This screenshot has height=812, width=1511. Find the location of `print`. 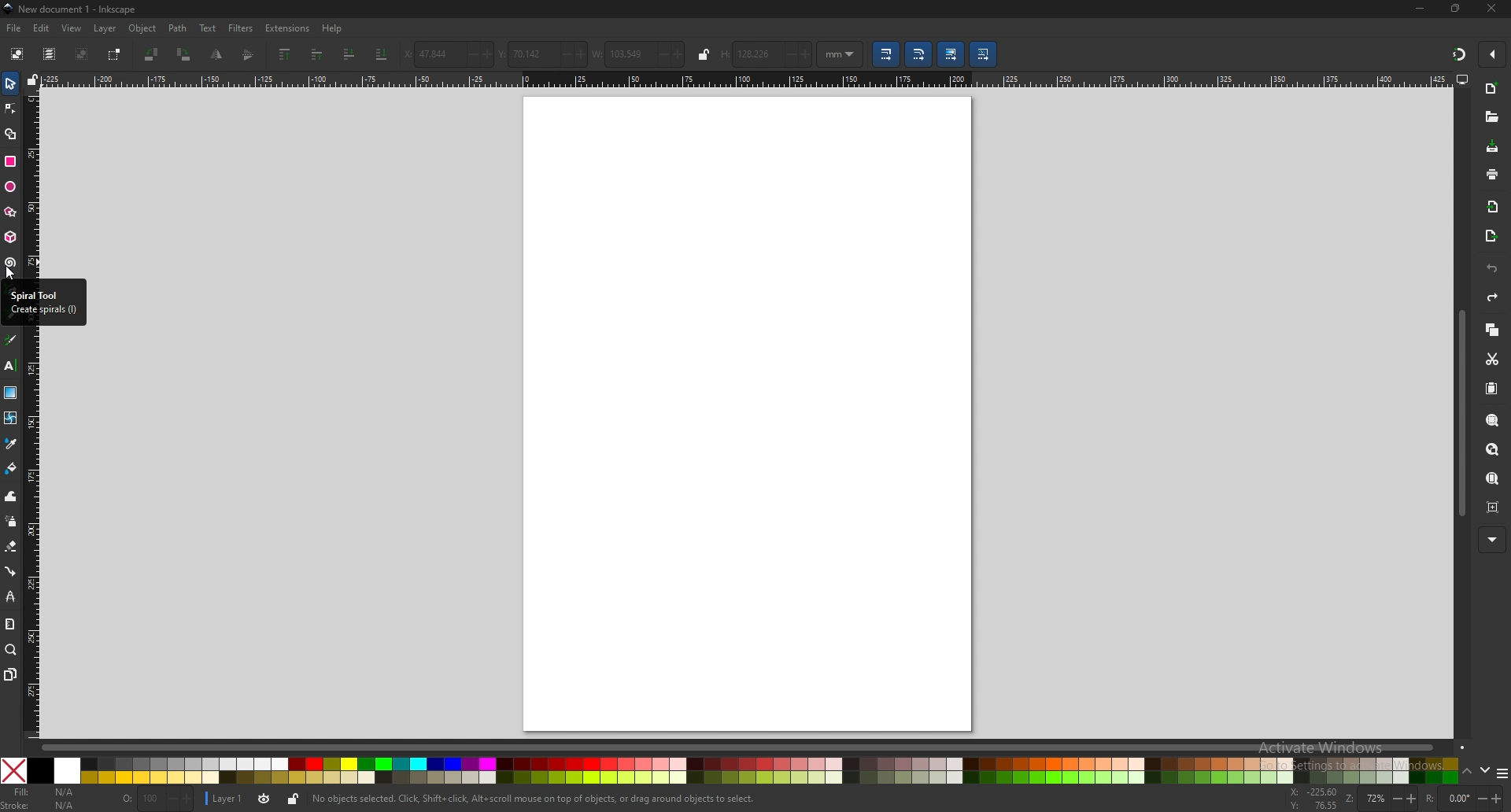

print is located at coordinates (1491, 174).